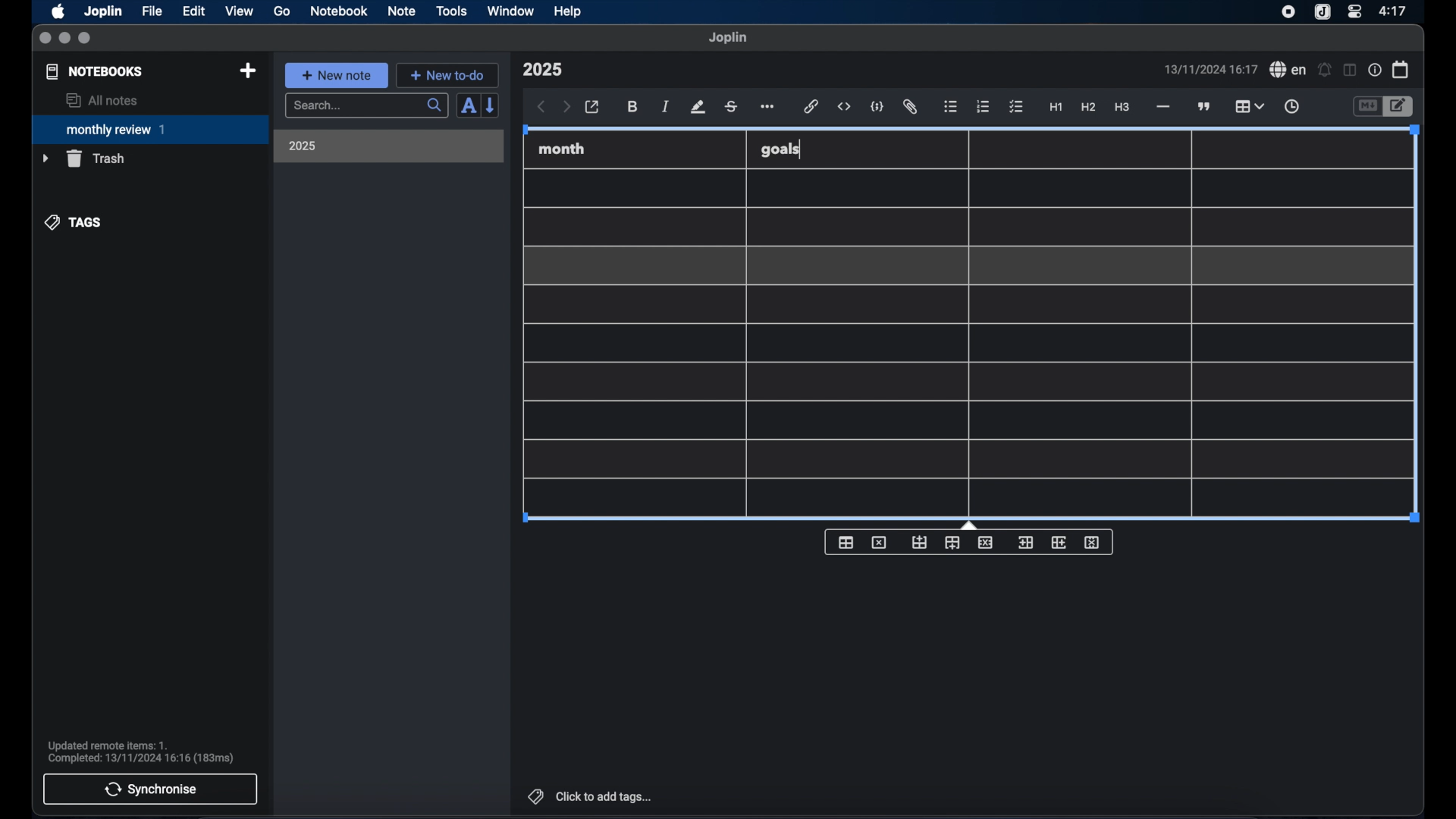 The image size is (1456, 819). What do you see at coordinates (1162, 107) in the screenshot?
I see `horizontal rule` at bounding box center [1162, 107].